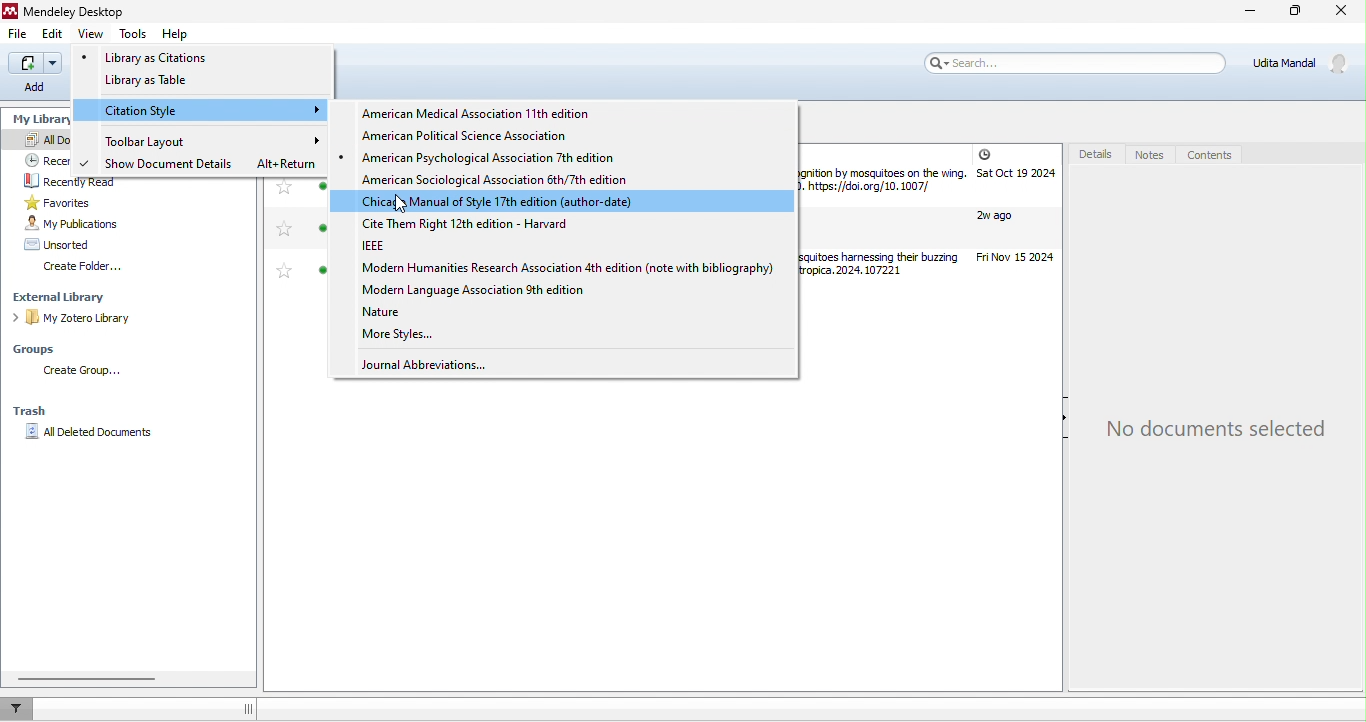 The height and width of the screenshot is (722, 1366). Describe the element at coordinates (41, 160) in the screenshot. I see `recently added` at that location.